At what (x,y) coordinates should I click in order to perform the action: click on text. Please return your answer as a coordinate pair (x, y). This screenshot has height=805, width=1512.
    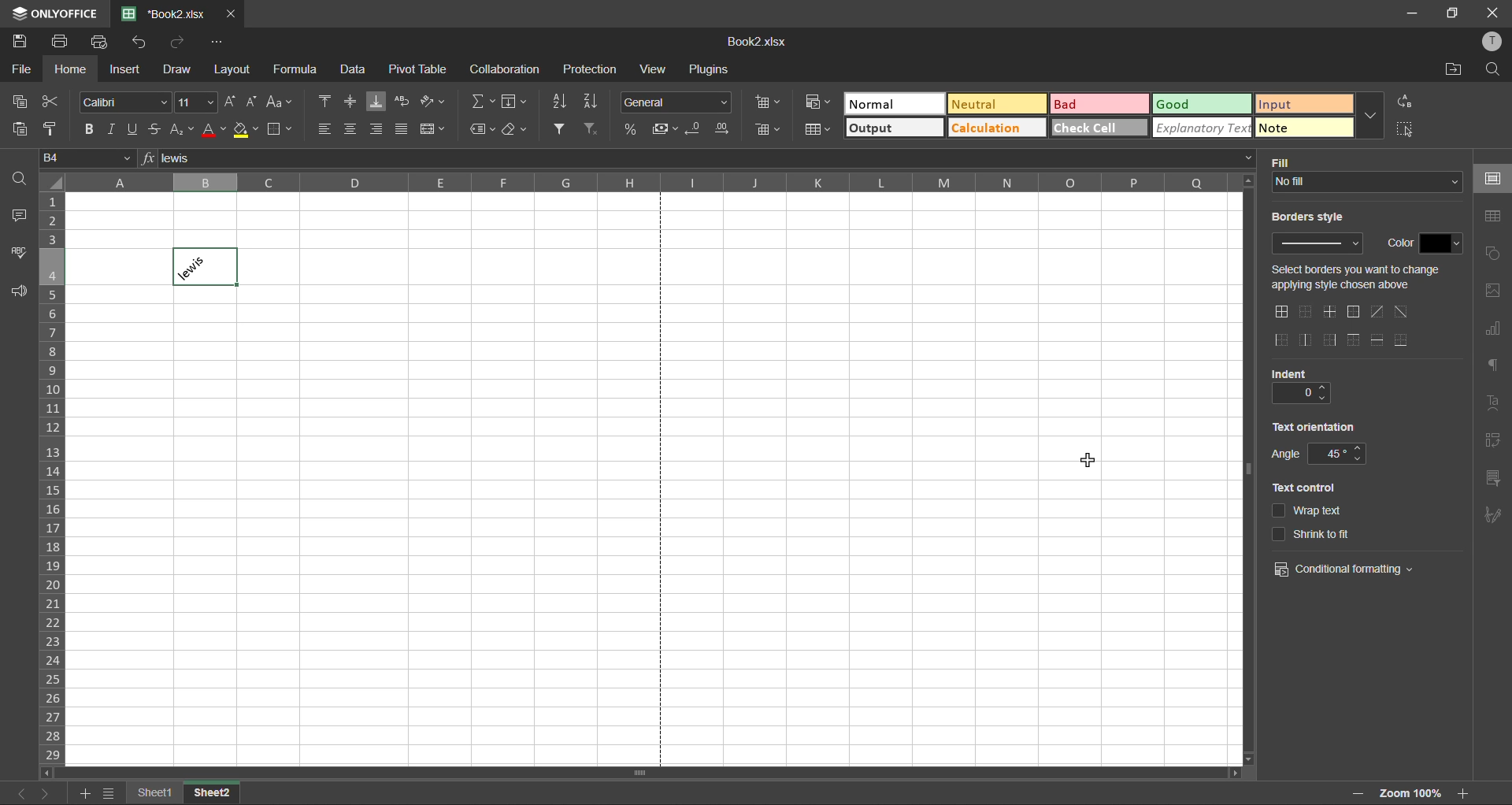
    Looking at the image, I should click on (1498, 404).